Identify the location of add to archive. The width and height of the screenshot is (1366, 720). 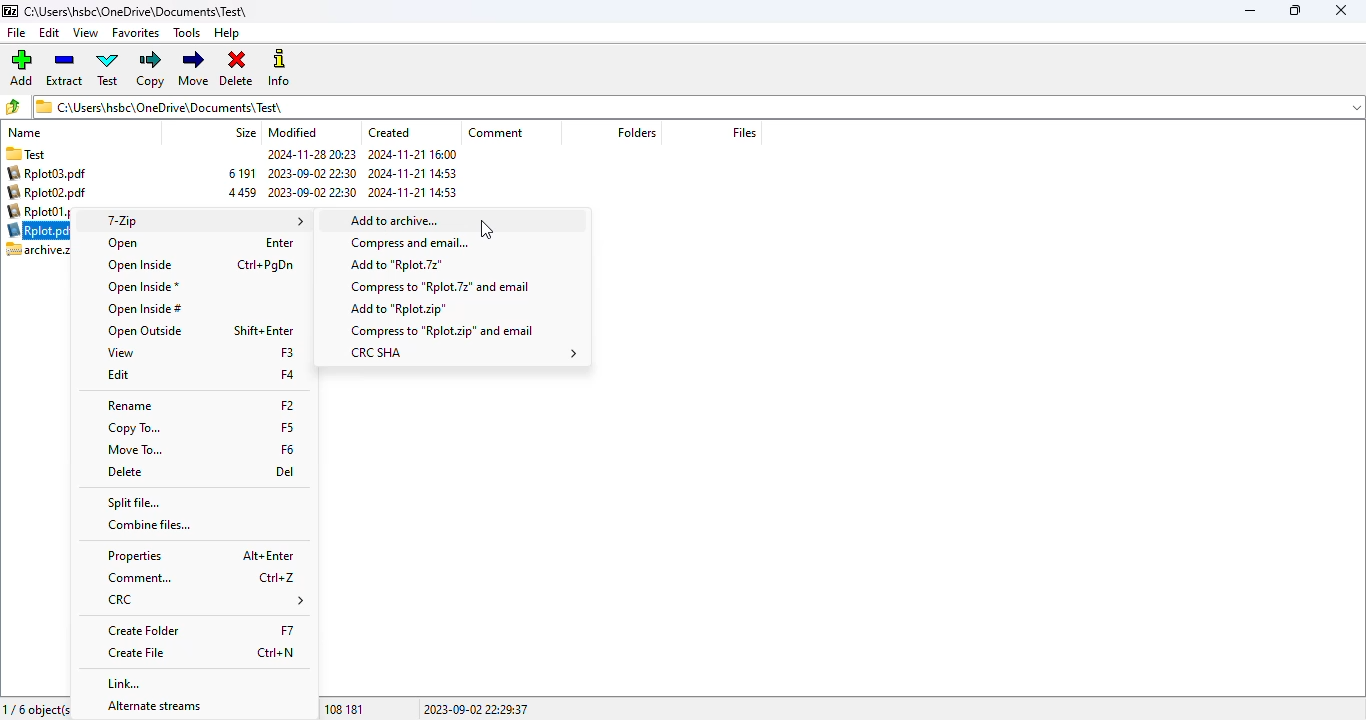
(456, 220).